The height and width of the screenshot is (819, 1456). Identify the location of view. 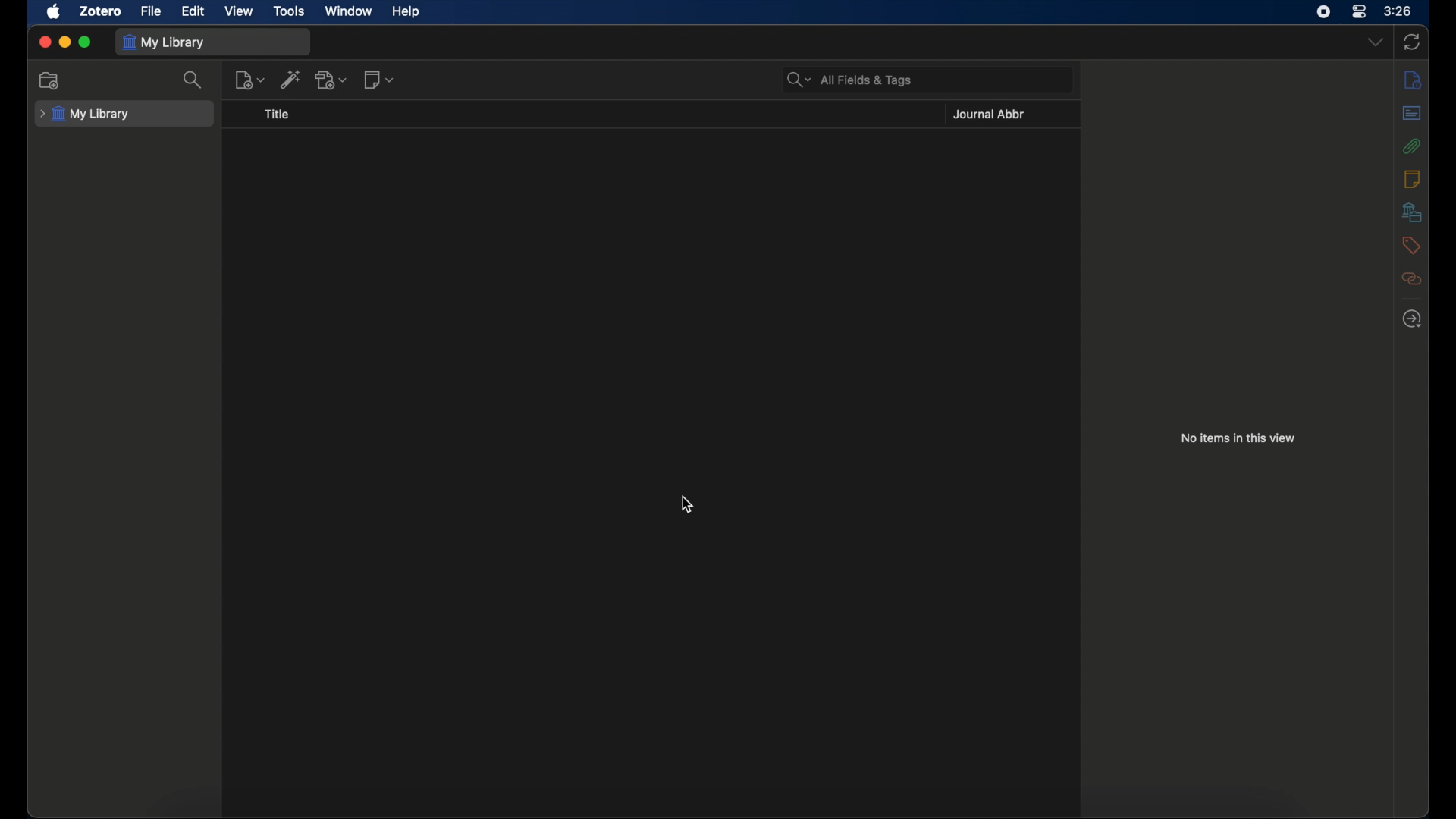
(238, 11).